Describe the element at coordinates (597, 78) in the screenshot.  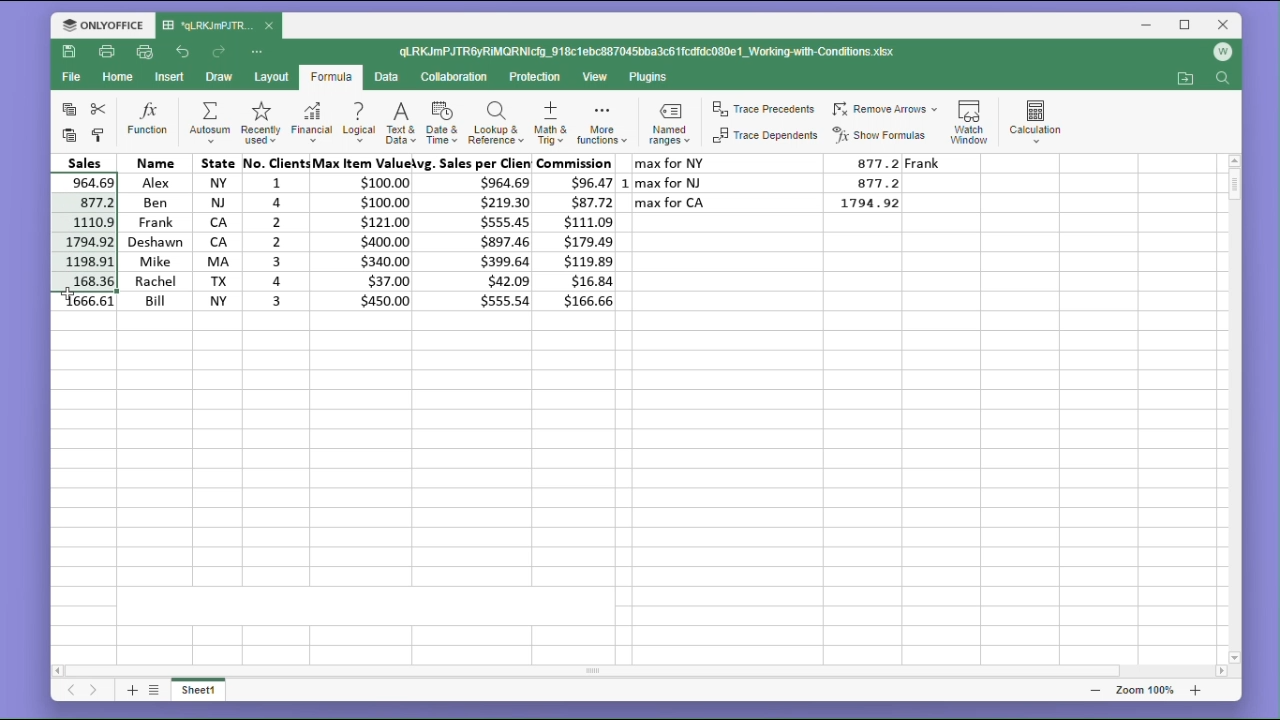
I see `view` at that location.